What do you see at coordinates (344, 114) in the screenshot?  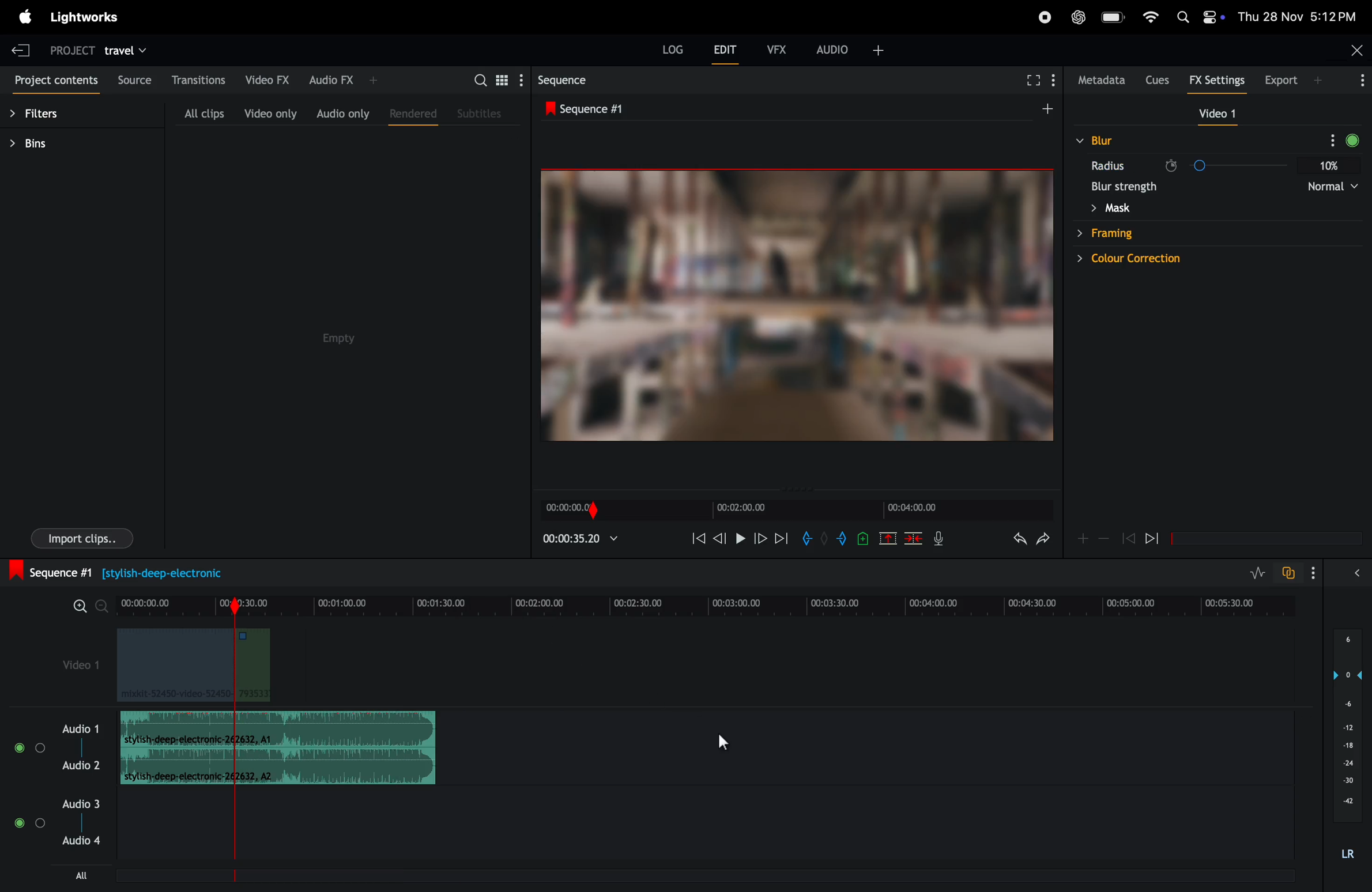 I see `audio only` at bounding box center [344, 114].